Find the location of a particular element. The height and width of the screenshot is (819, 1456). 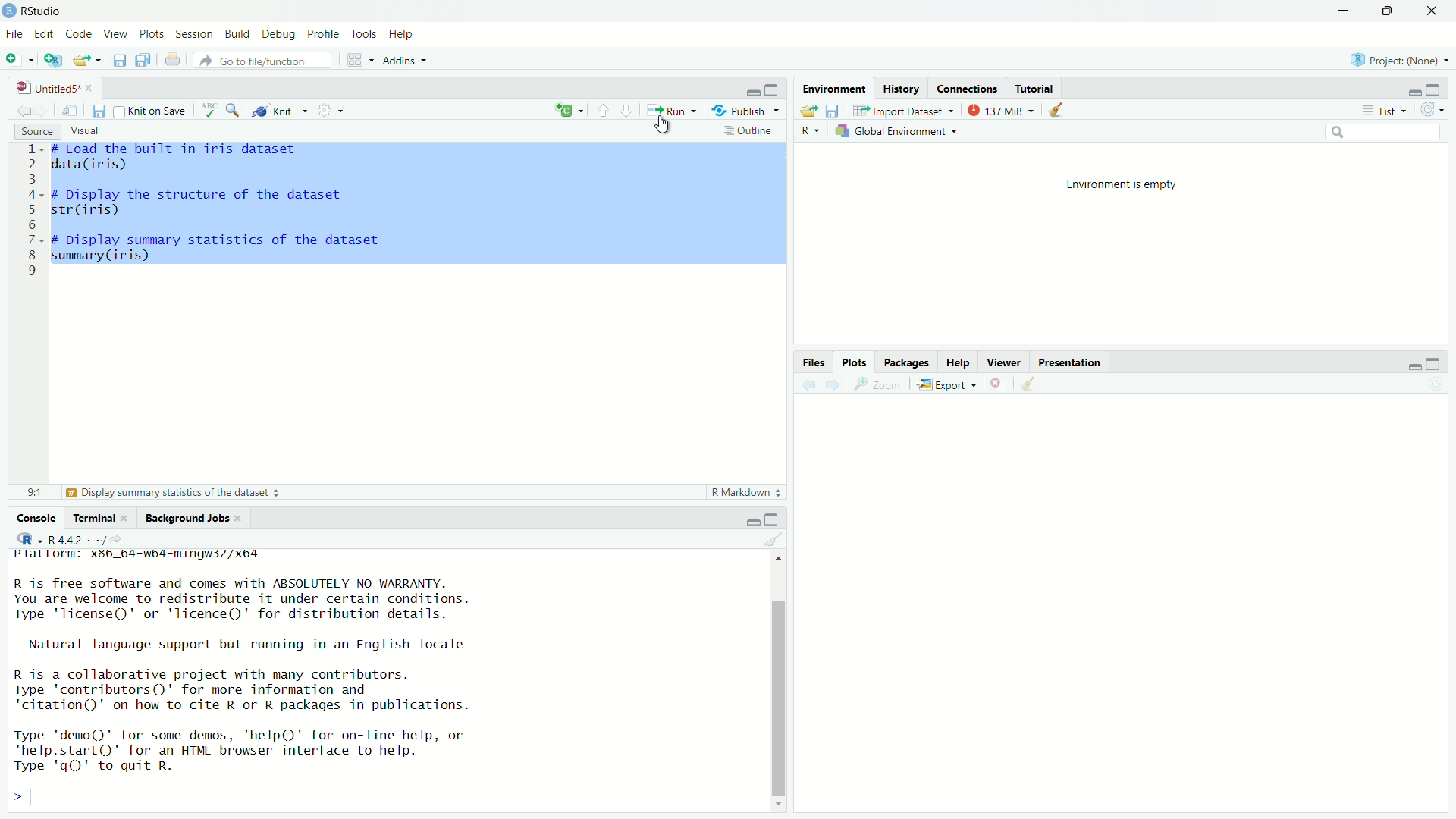

R Markdown is located at coordinates (746, 491).